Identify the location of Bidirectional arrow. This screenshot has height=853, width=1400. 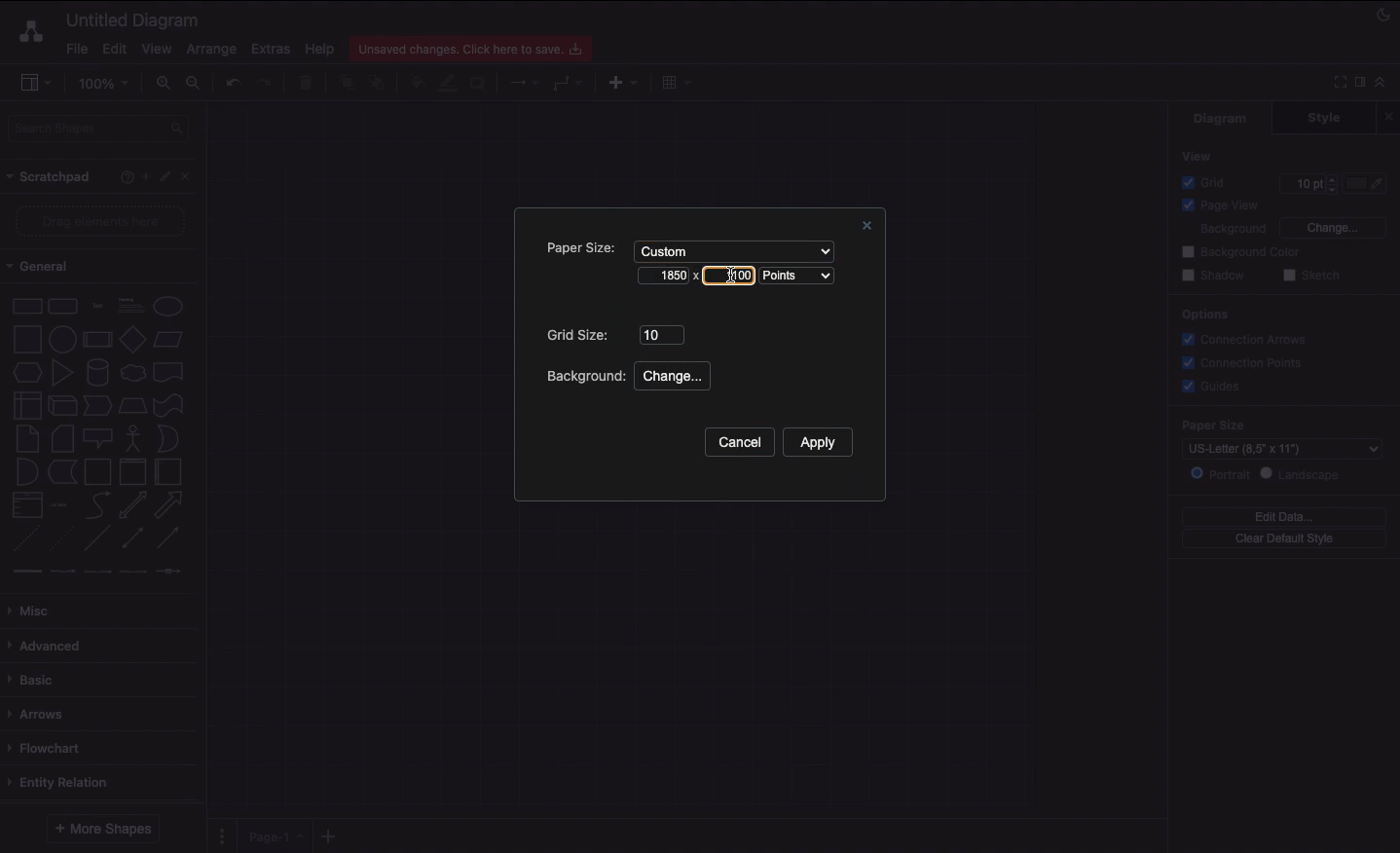
(132, 504).